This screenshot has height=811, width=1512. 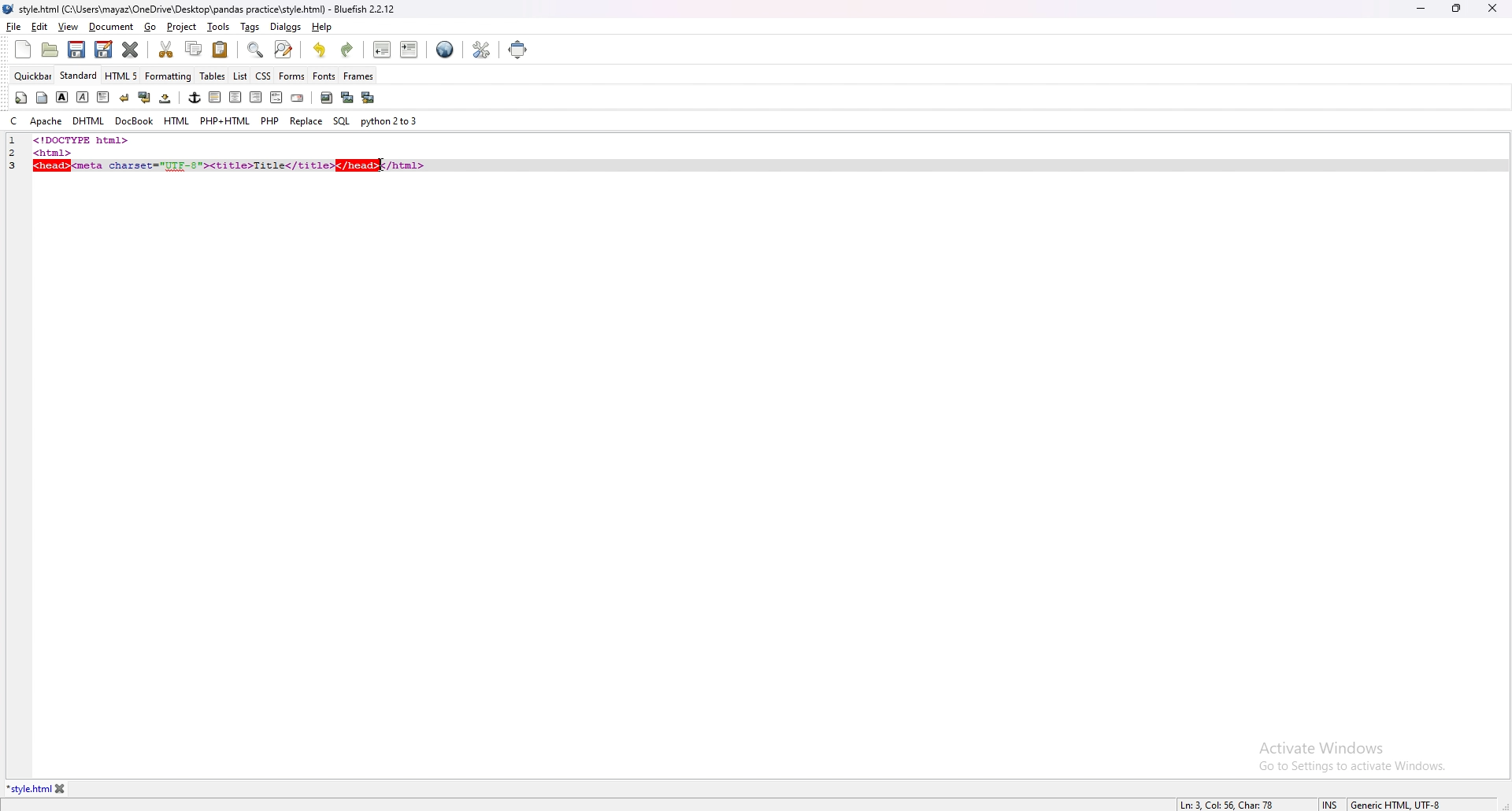 What do you see at coordinates (83, 96) in the screenshot?
I see `italic` at bounding box center [83, 96].